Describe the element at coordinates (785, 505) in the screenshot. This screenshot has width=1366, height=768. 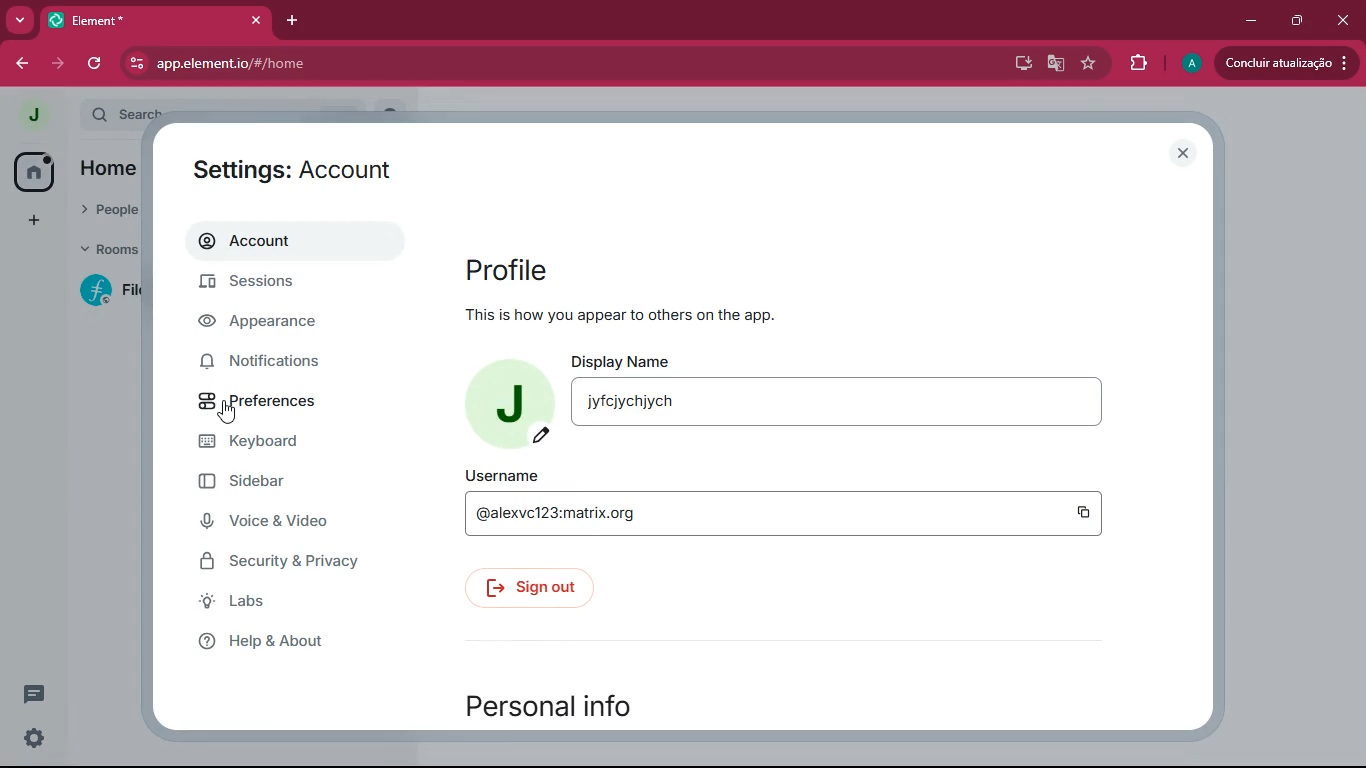
I see `username @alexvc123:matrix.org` at that location.